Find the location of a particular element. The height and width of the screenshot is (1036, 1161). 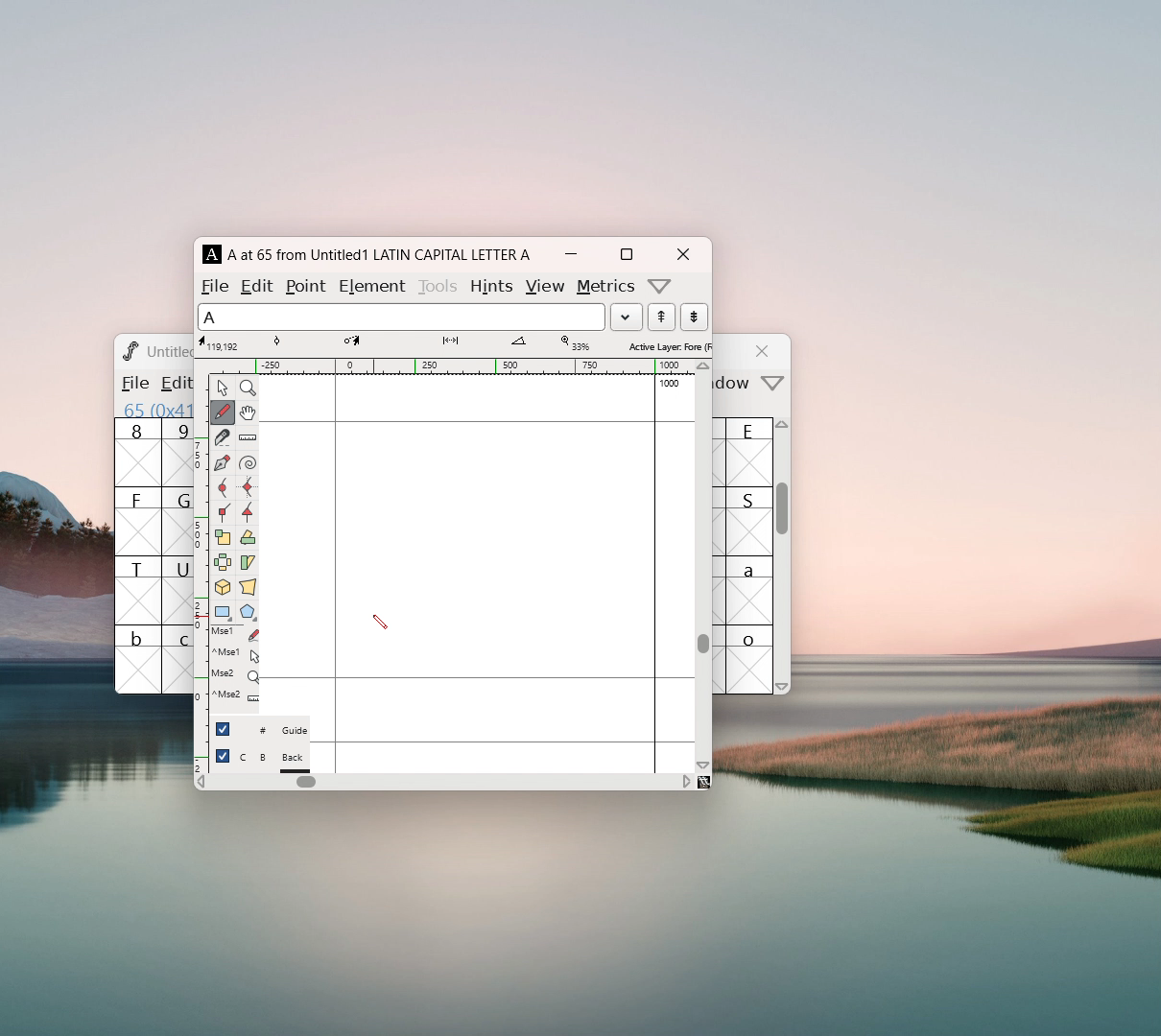

scroll up is located at coordinates (784, 429).